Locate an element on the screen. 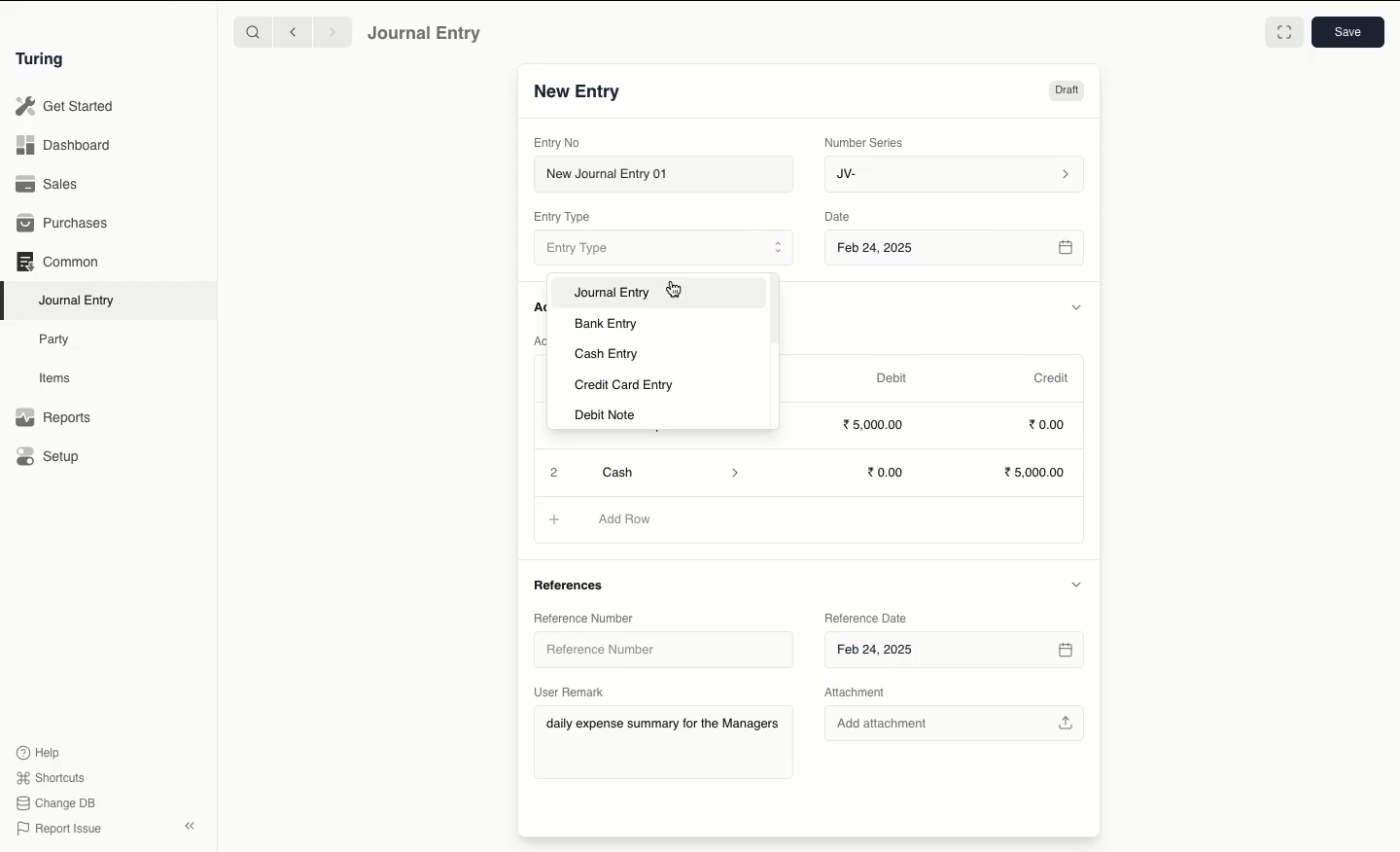  0.00 is located at coordinates (887, 473).